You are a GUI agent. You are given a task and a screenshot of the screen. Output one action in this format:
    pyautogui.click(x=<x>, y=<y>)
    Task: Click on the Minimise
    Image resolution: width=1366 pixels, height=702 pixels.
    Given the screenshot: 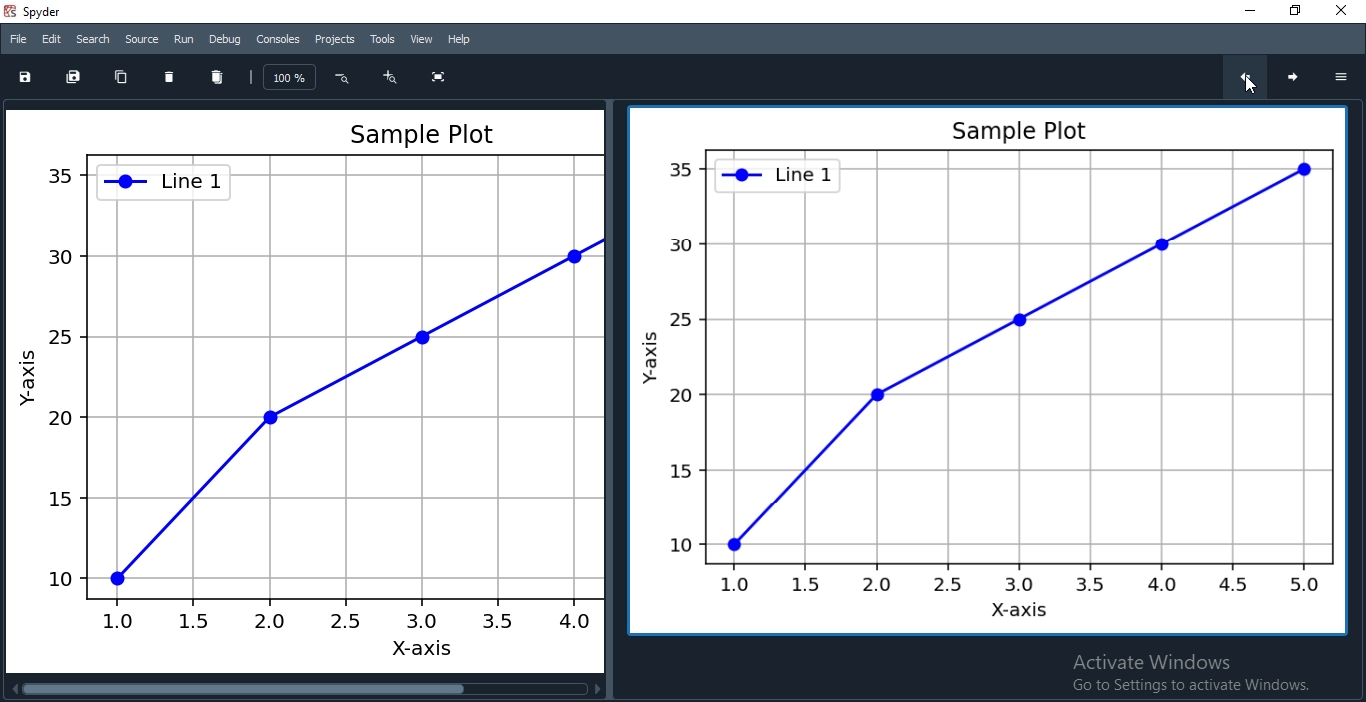 What is the action you would take?
    pyautogui.click(x=1239, y=11)
    